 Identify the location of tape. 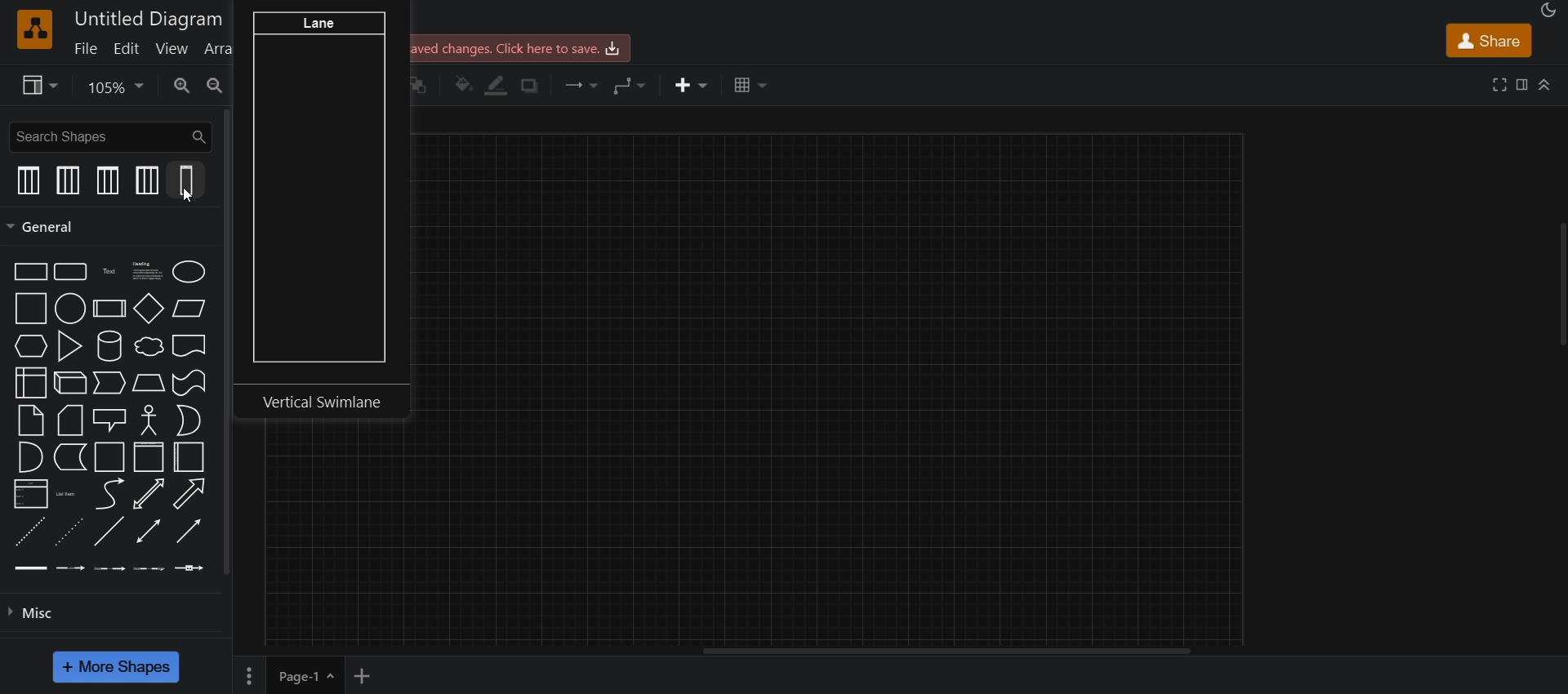
(189, 385).